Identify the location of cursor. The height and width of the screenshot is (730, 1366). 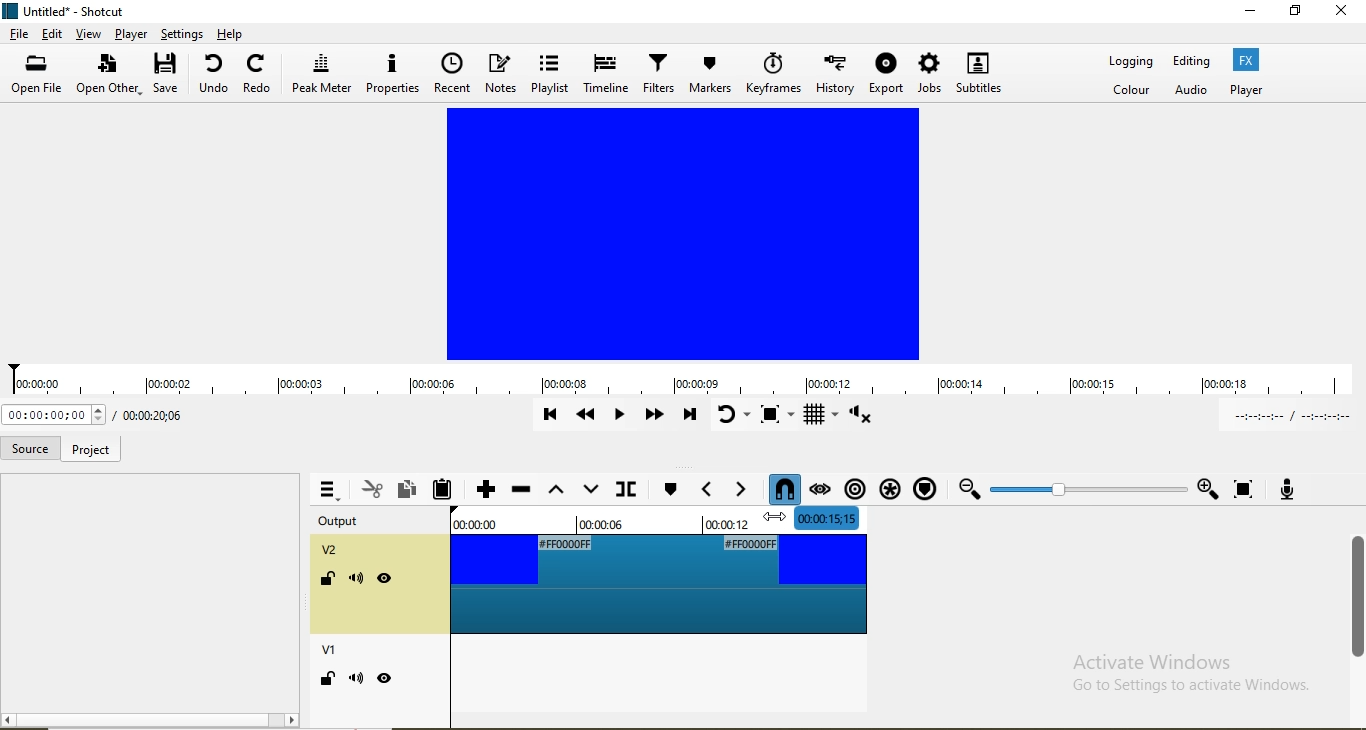
(773, 521).